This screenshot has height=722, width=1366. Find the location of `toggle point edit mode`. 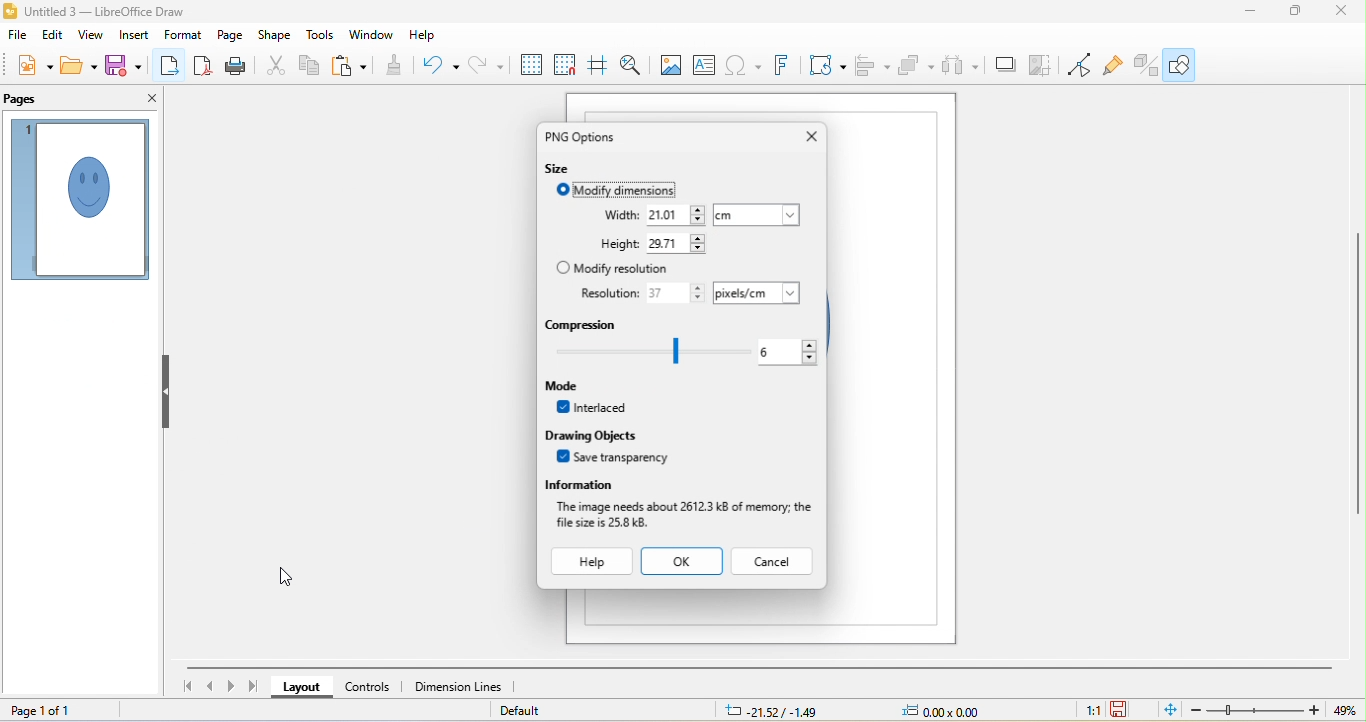

toggle point edit mode is located at coordinates (1080, 67).